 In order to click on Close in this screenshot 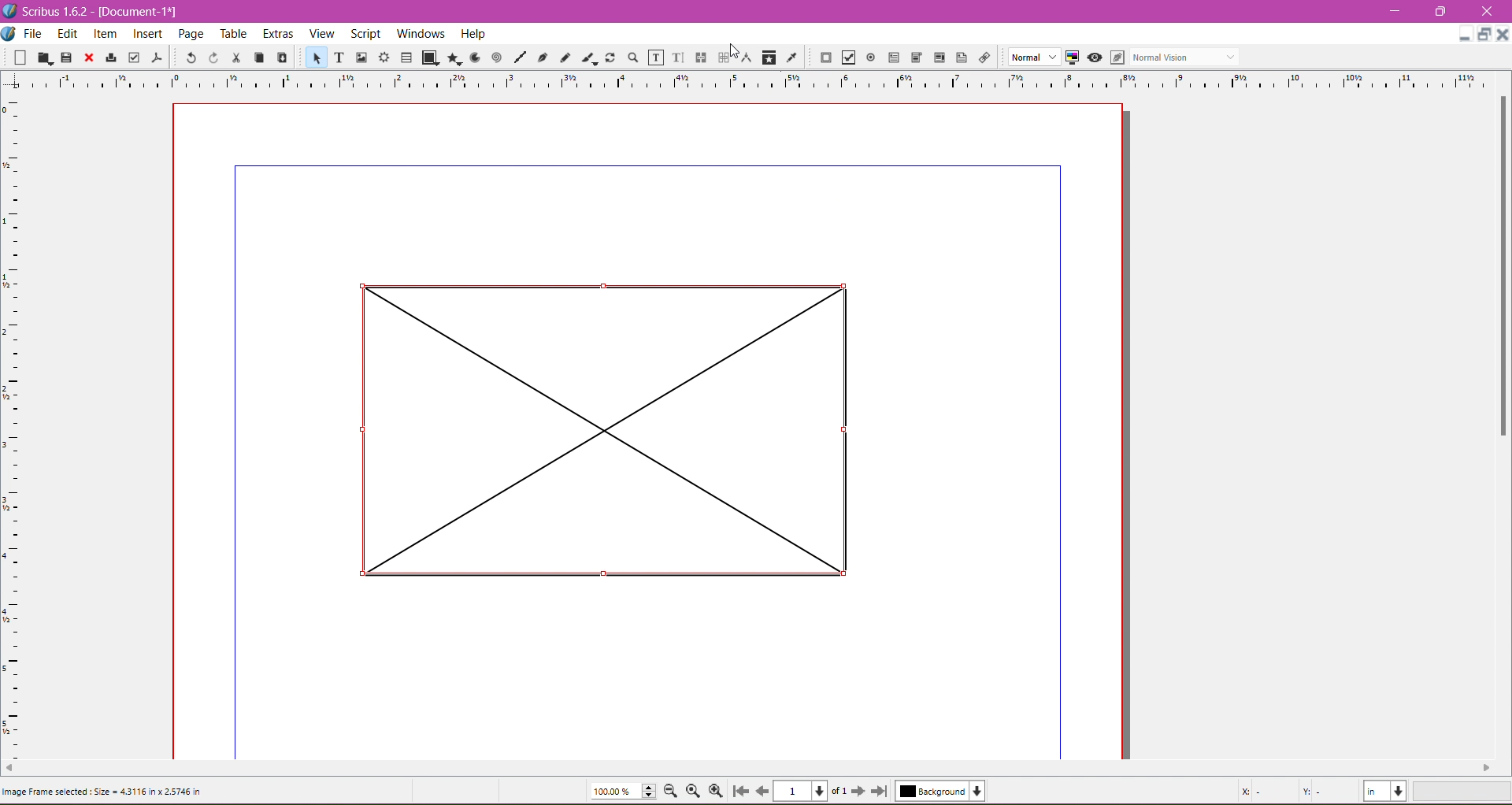, I will do `click(89, 58)`.